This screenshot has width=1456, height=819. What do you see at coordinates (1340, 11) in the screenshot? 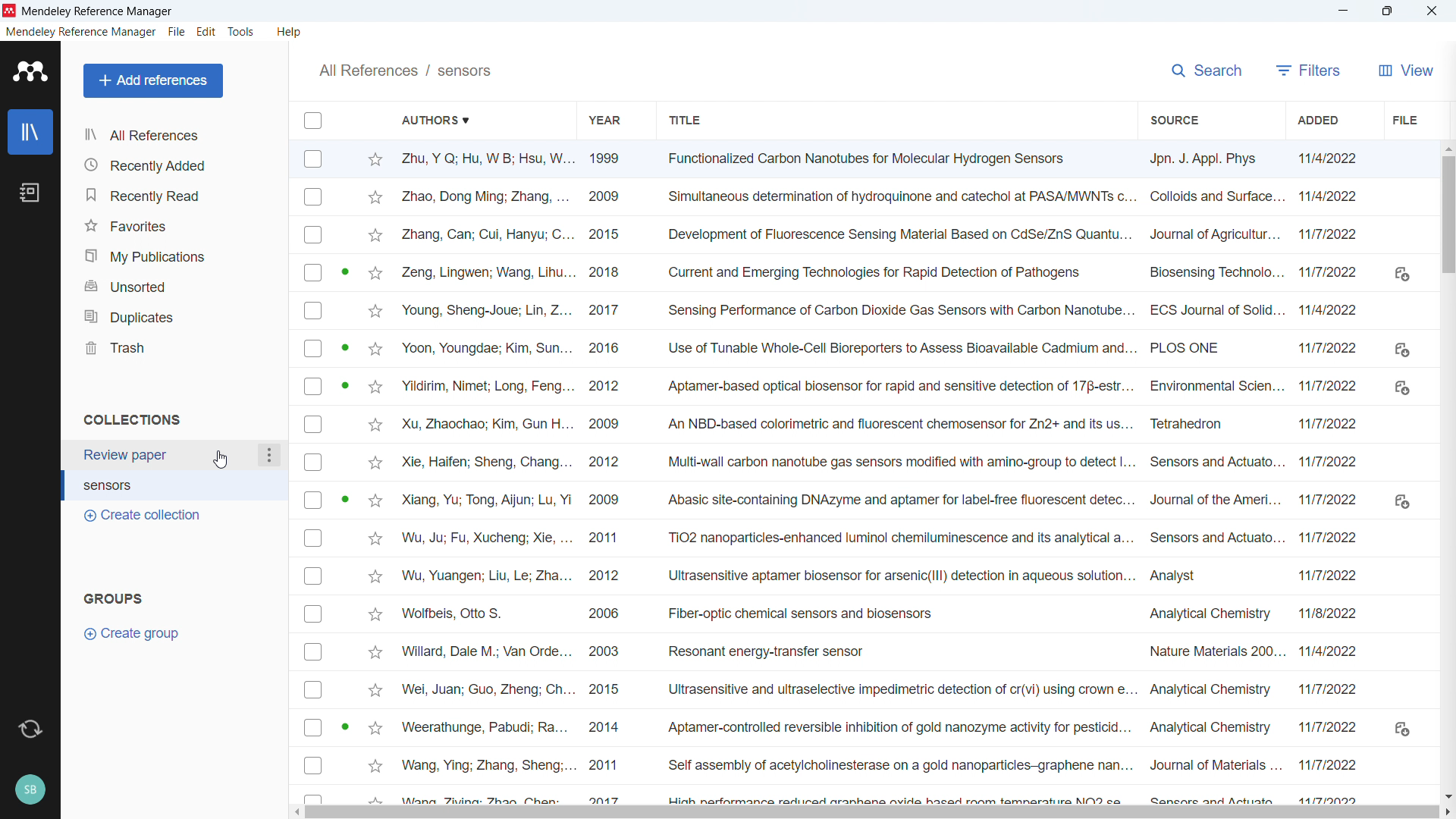
I see `minimise ` at bounding box center [1340, 11].